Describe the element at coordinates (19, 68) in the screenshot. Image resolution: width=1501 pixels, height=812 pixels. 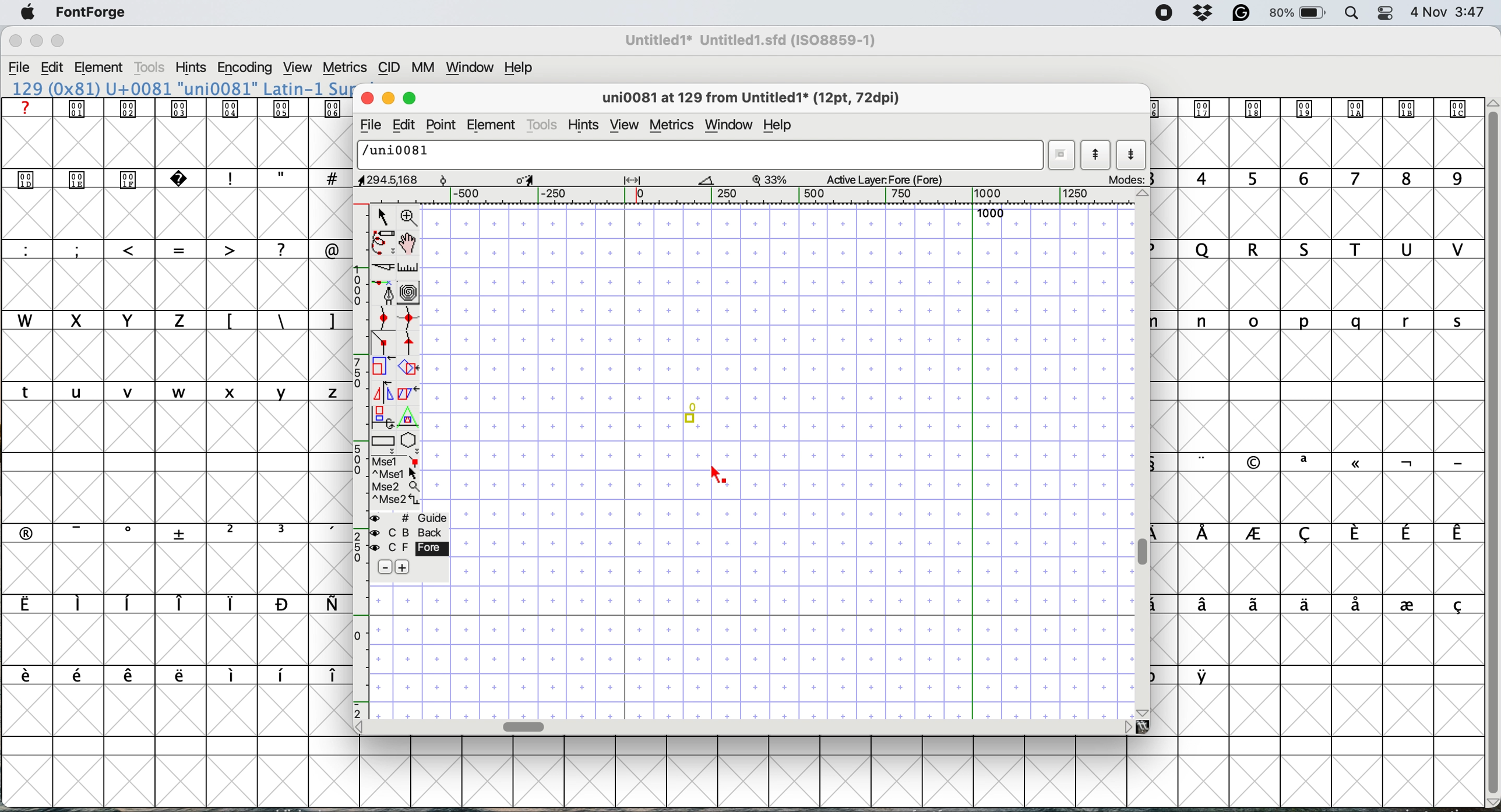
I see `File` at that location.